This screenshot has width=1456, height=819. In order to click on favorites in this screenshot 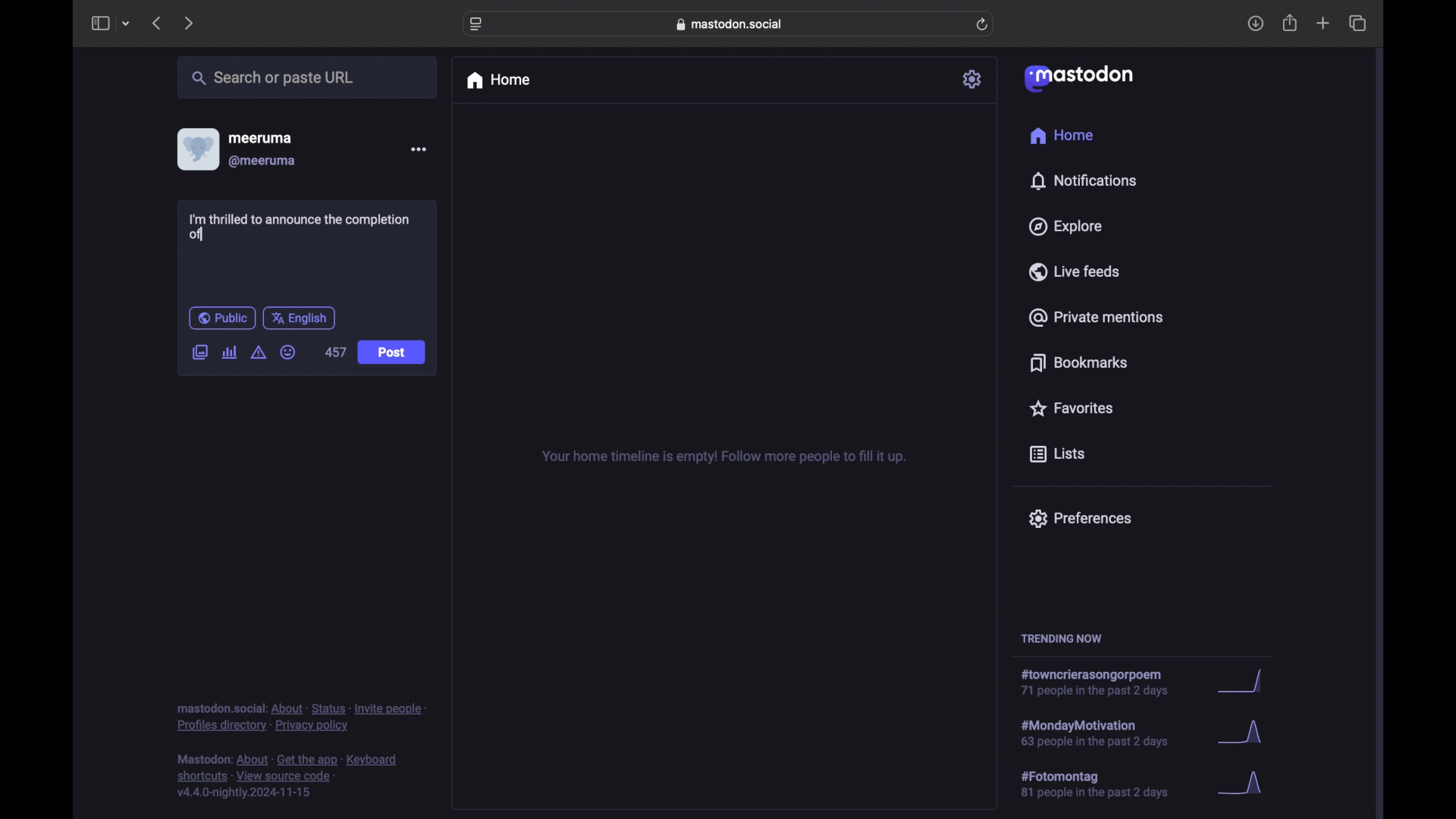, I will do `click(1071, 408)`.